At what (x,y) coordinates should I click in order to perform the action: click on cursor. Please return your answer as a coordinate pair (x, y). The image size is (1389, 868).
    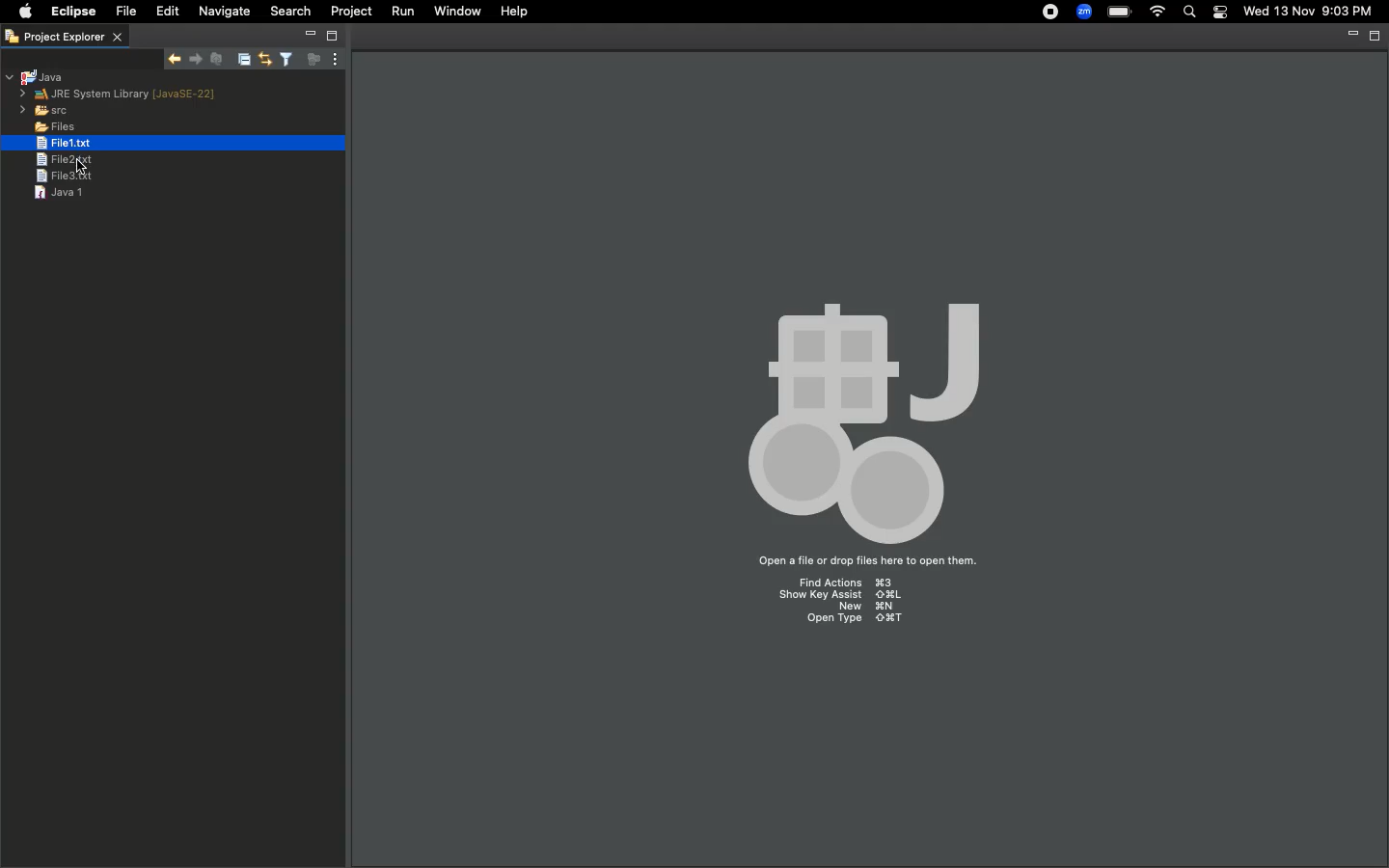
    Looking at the image, I should click on (92, 170).